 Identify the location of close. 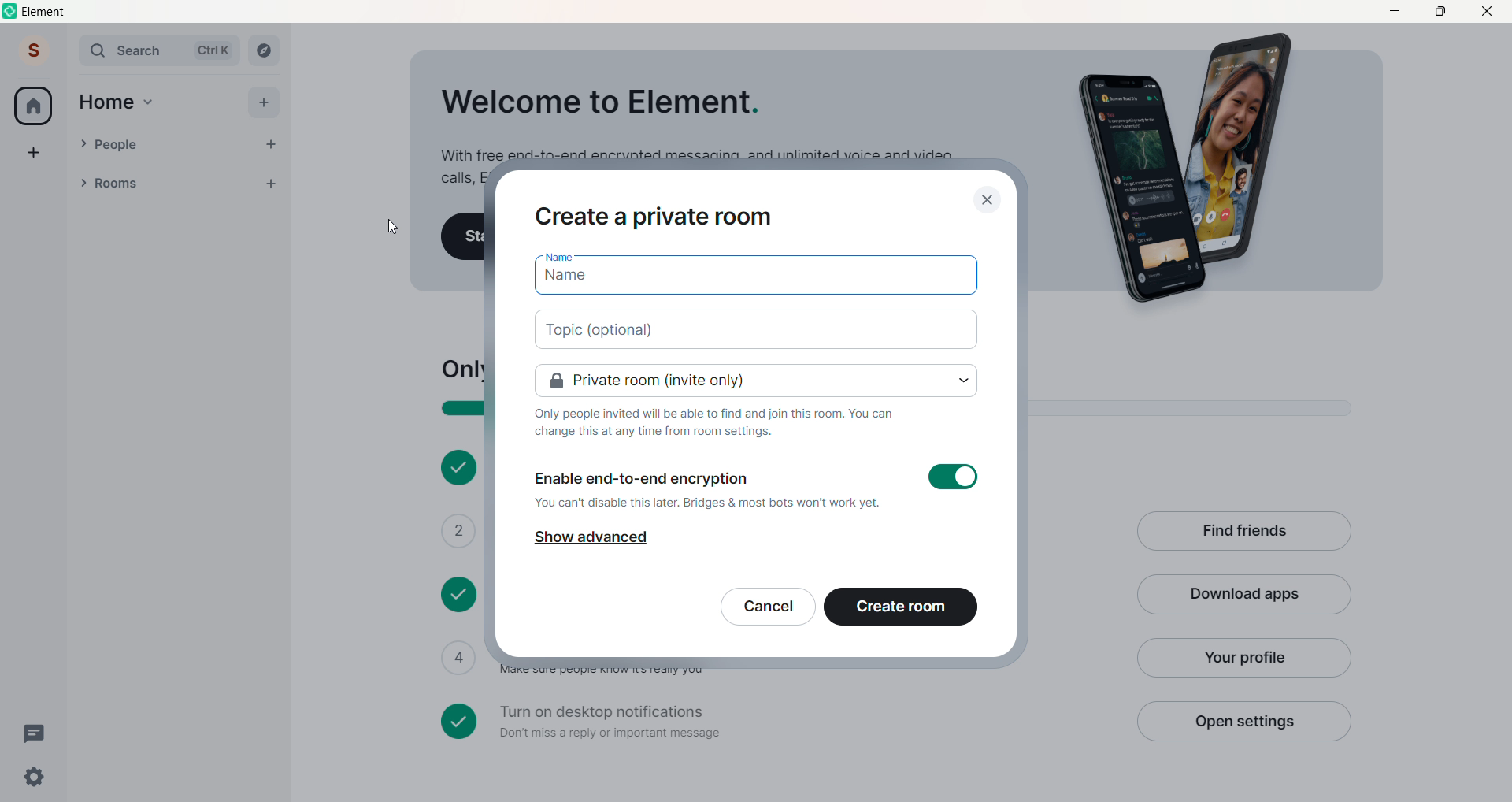
(988, 200).